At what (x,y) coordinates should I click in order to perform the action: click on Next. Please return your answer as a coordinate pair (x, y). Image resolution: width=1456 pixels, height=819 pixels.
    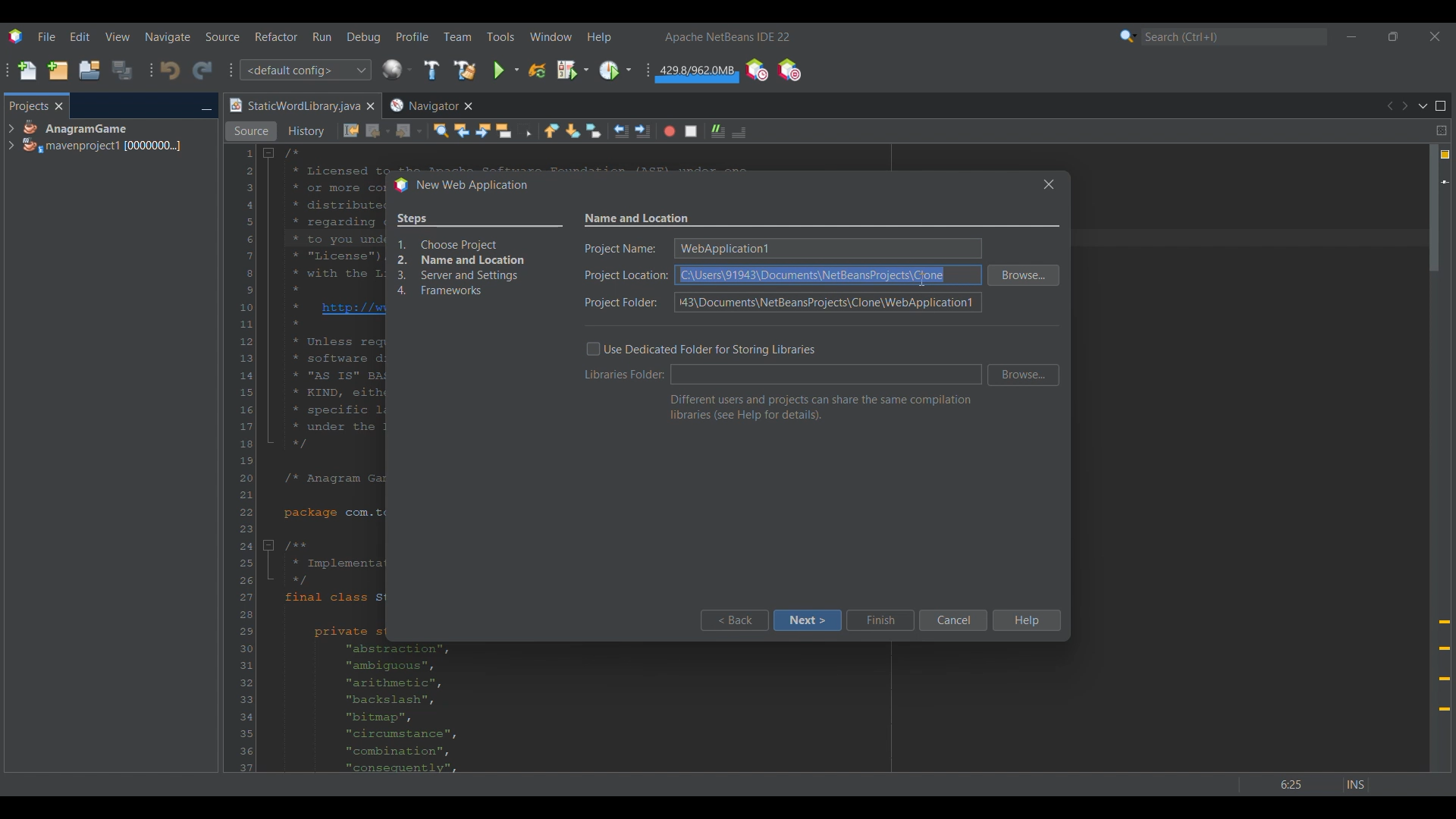
    Looking at the image, I should click on (1404, 106).